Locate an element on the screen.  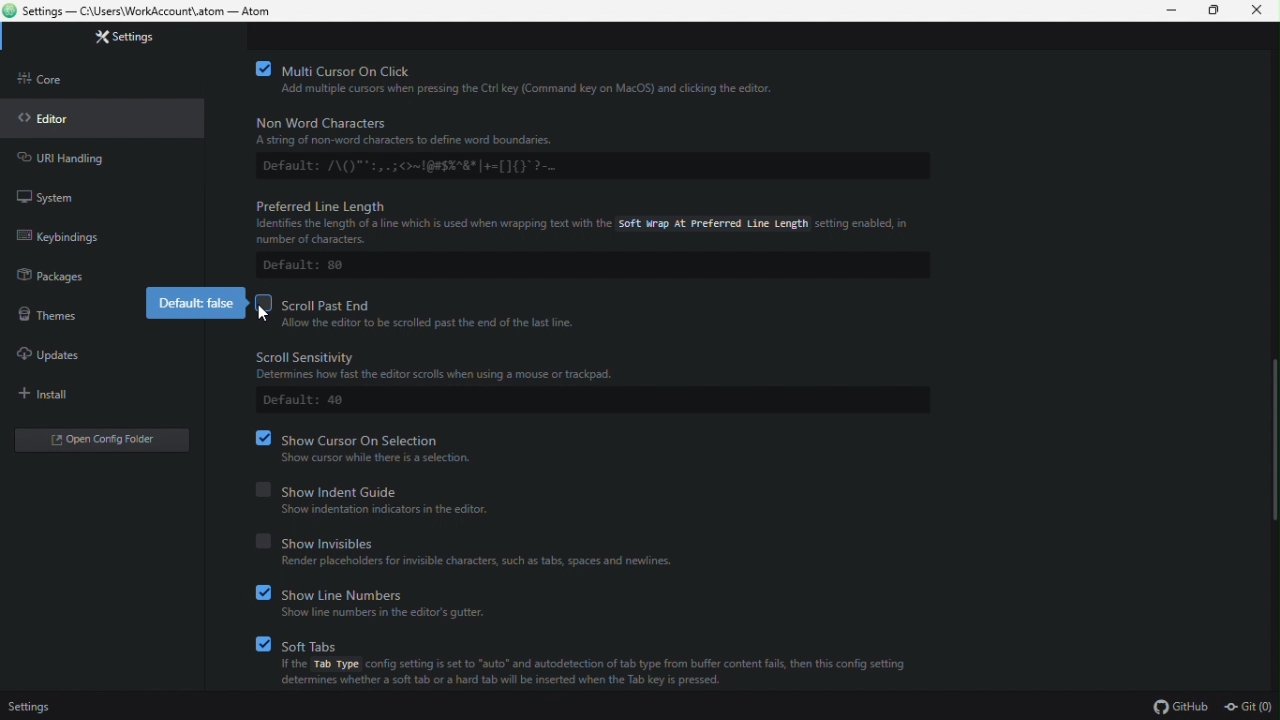
URL handling is located at coordinates (83, 159).